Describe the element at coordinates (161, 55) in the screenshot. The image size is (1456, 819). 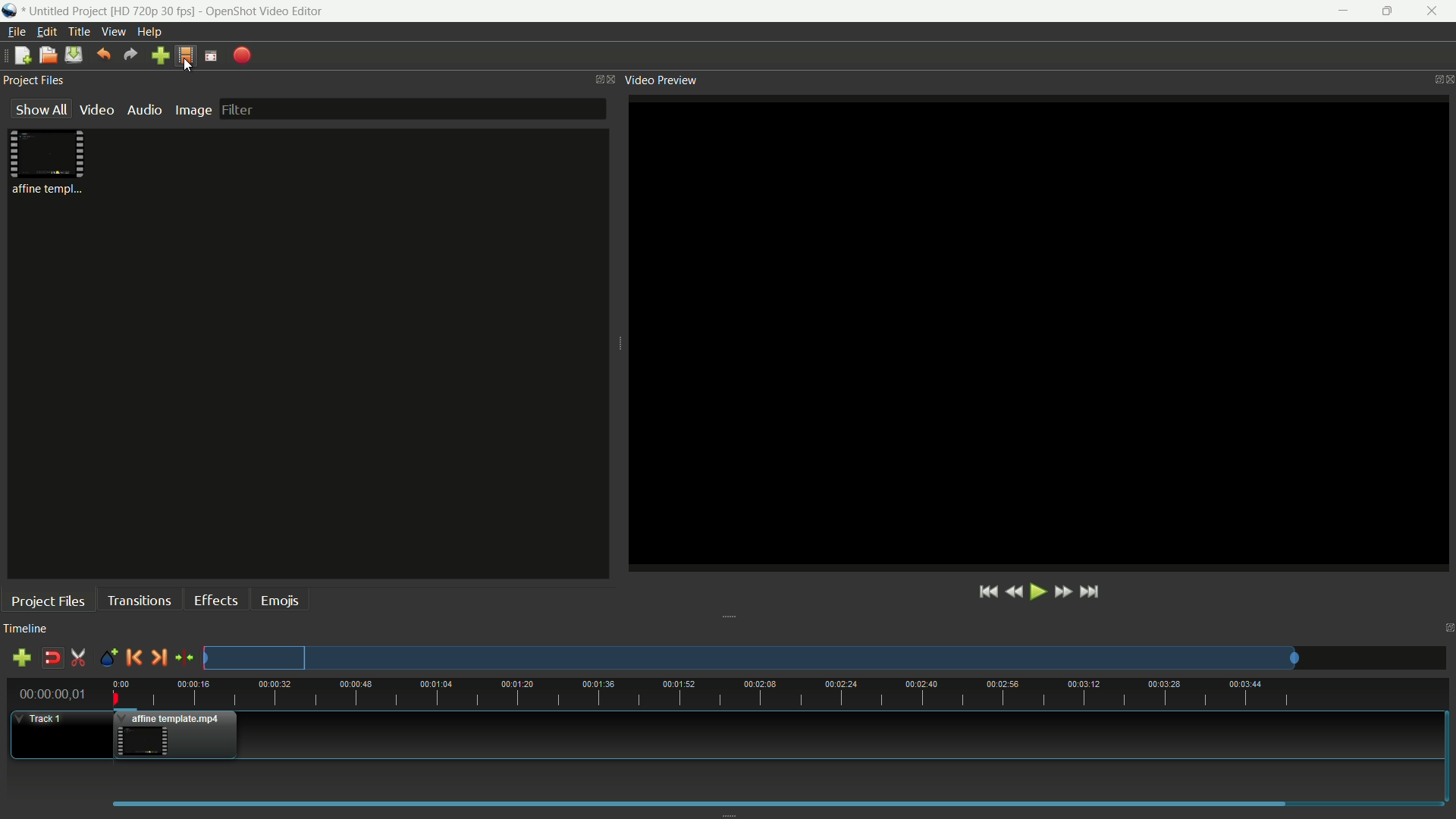
I see `import file` at that location.